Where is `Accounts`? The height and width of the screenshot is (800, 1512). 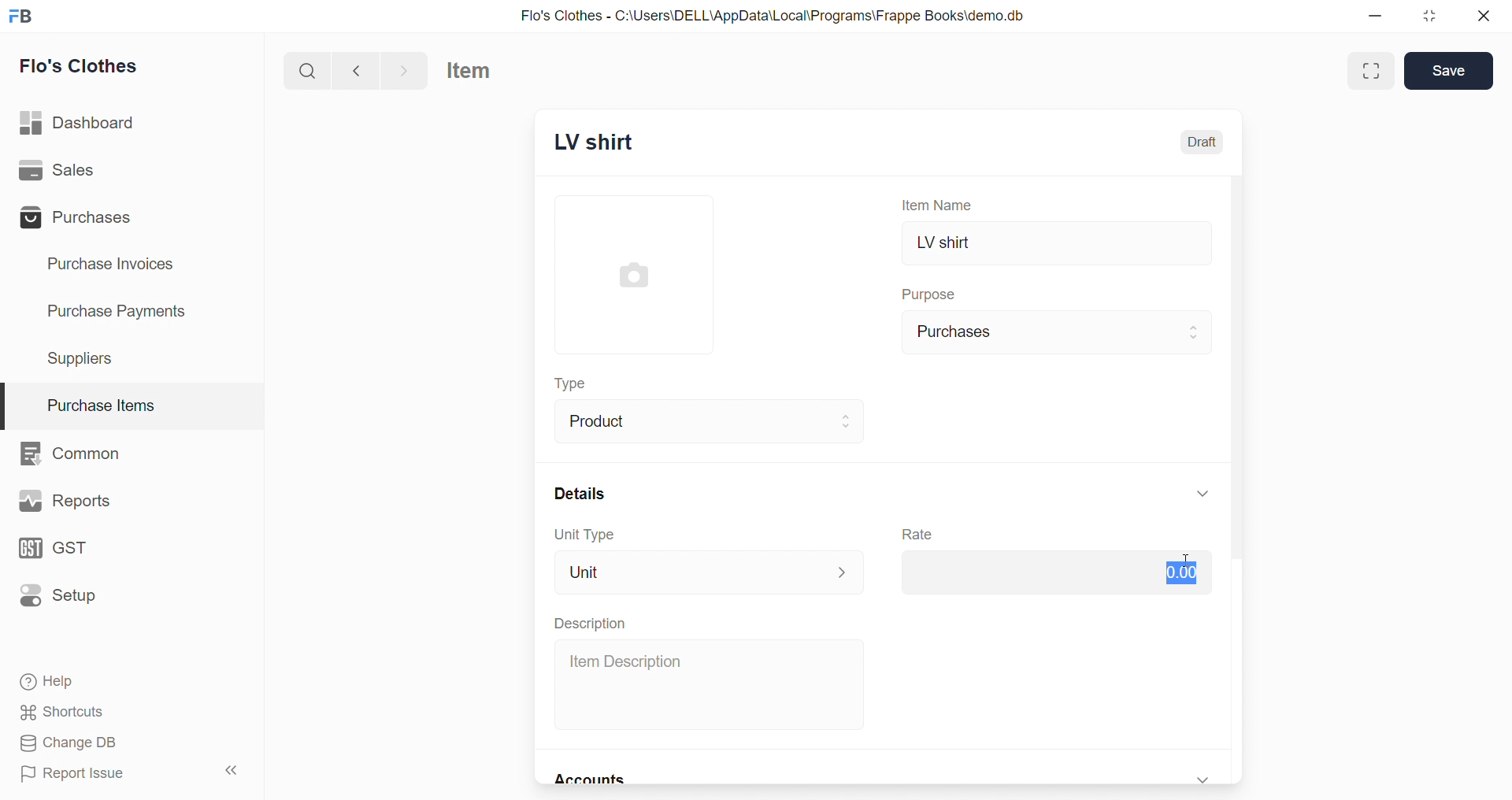 Accounts is located at coordinates (595, 780).